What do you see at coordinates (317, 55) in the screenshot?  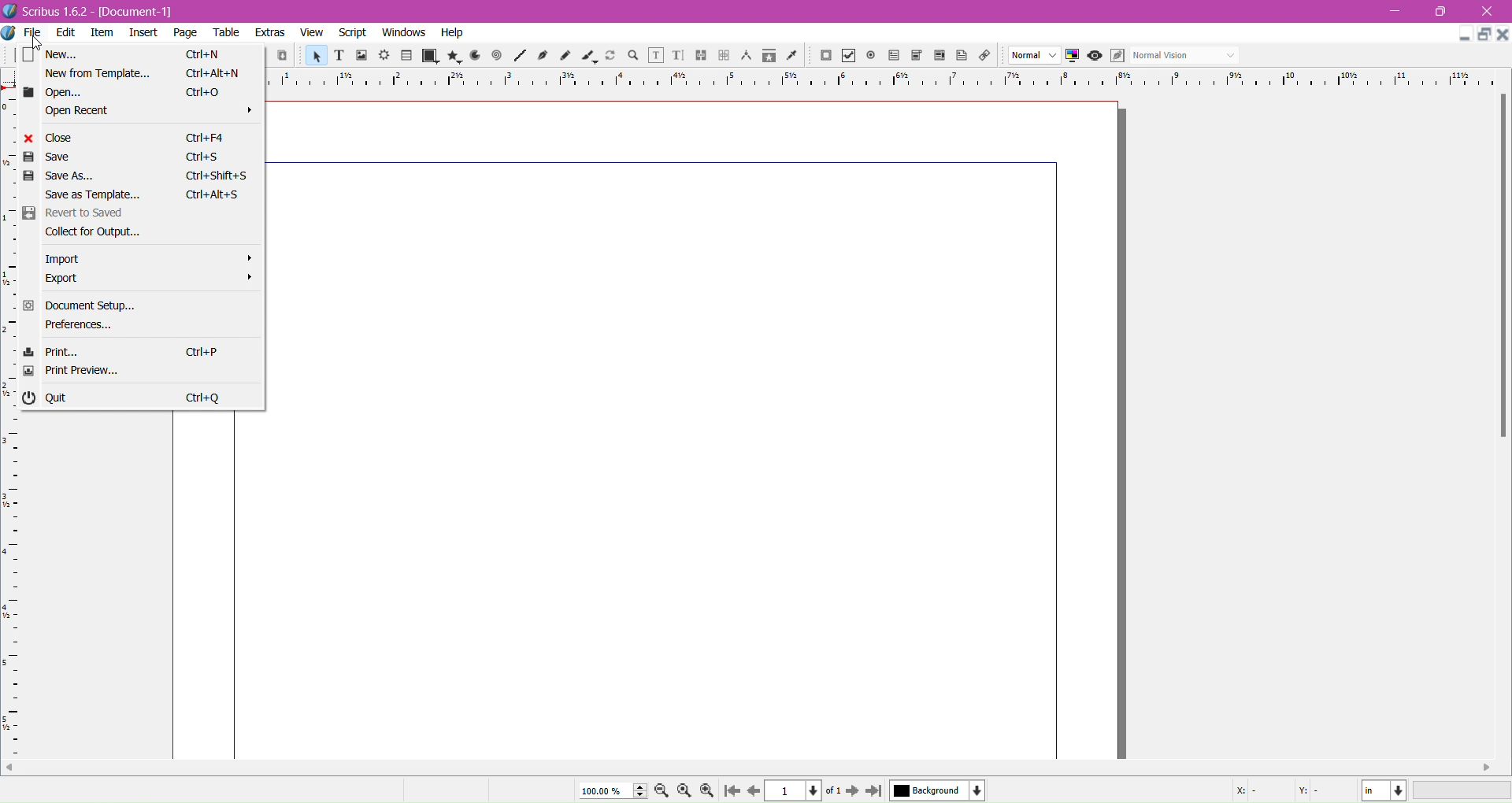 I see `Select Item` at bounding box center [317, 55].